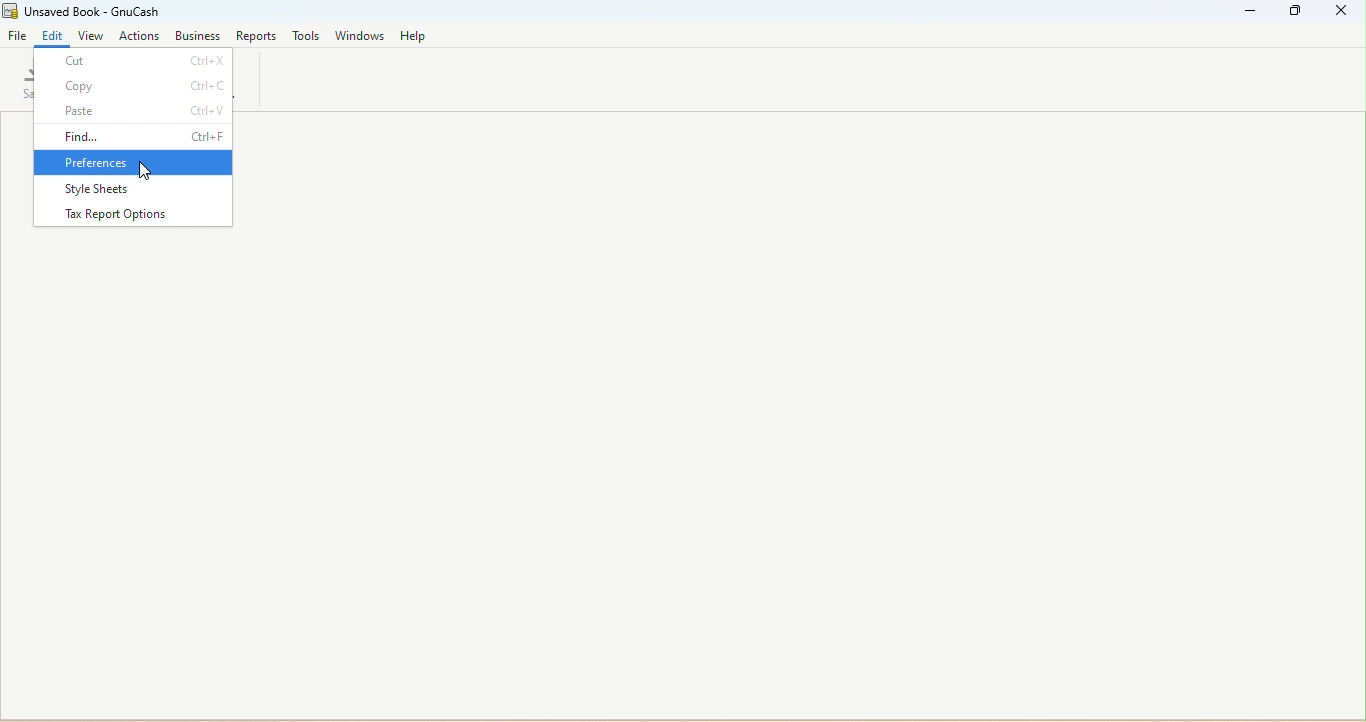 This screenshot has height=722, width=1366. I want to click on Tax report options, so click(132, 218).